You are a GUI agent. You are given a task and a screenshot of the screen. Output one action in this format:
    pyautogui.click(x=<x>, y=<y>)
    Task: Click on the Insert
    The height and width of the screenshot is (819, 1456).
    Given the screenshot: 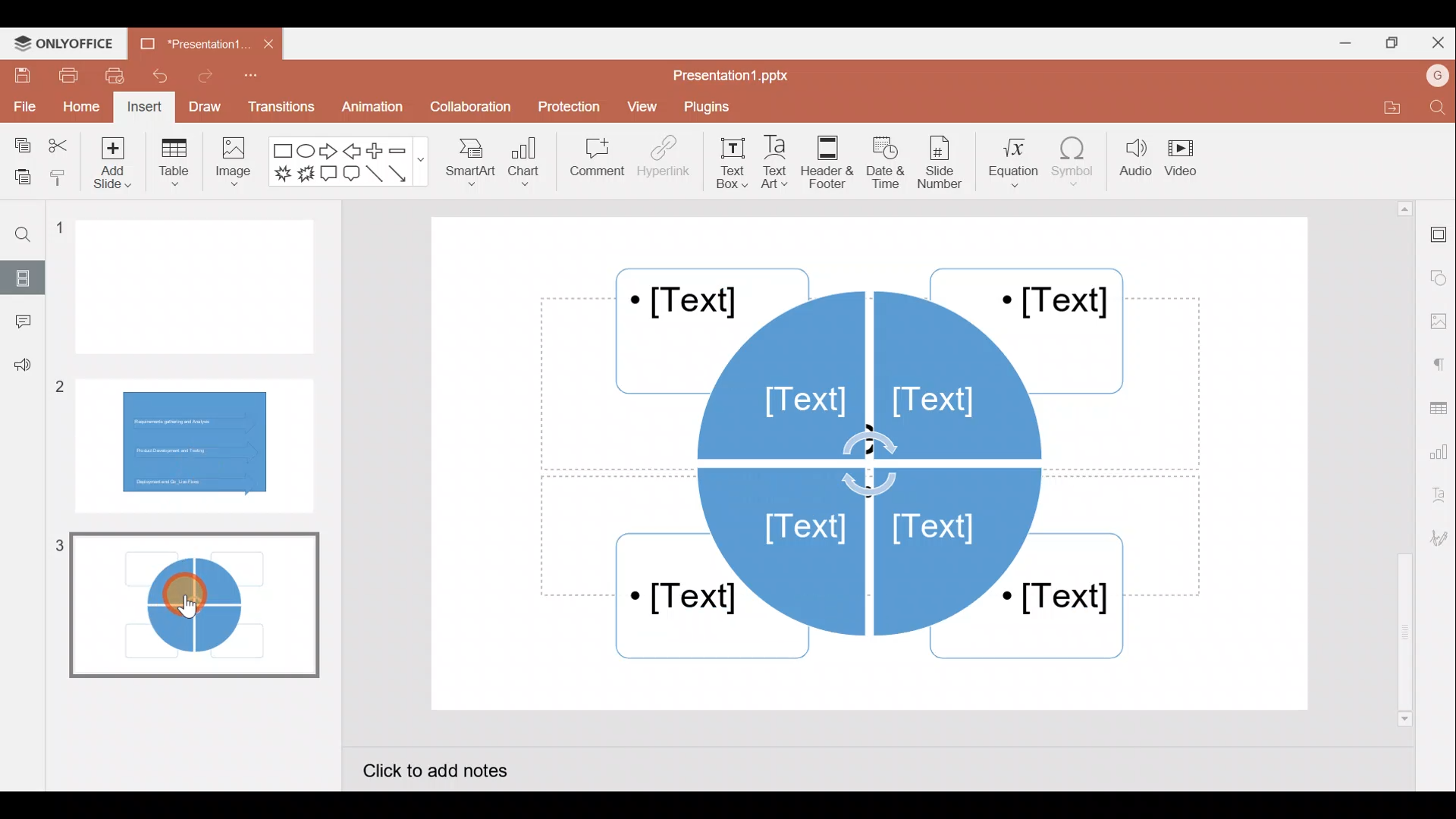 What is the action you would take?
    pyautogui.click(x=144, y=106)
    